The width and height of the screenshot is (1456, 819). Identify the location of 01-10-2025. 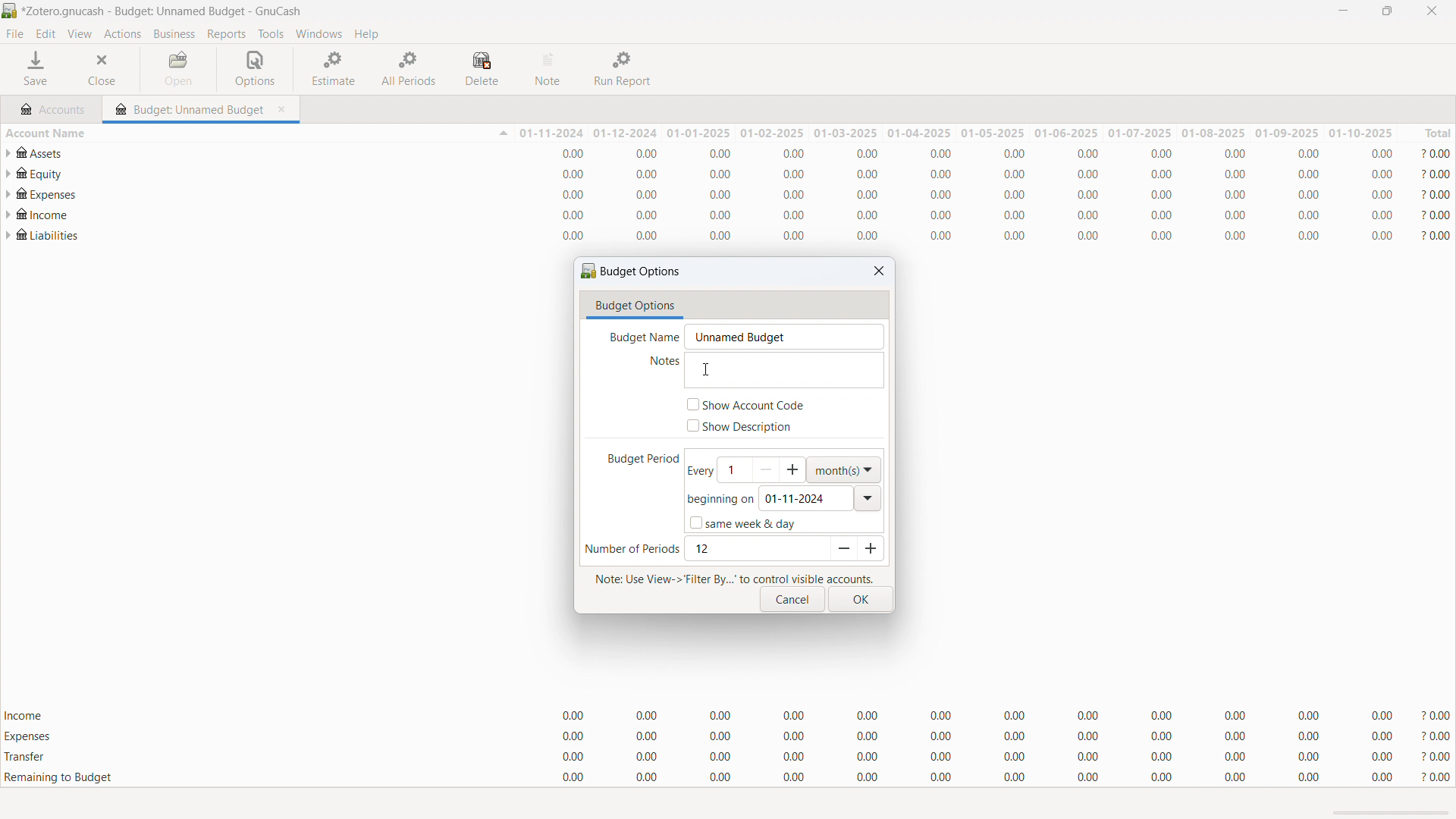
(1360, 133).